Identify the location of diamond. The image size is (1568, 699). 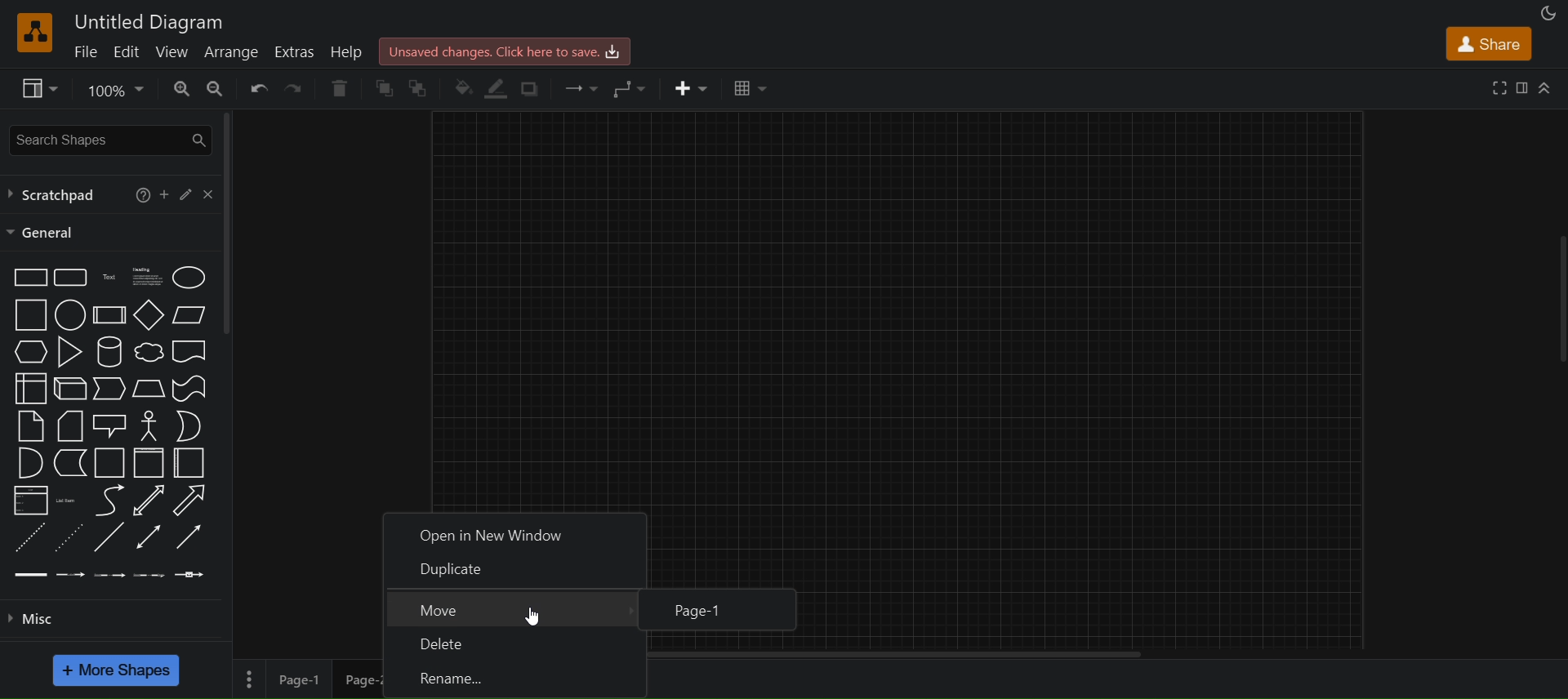
(149, 314).